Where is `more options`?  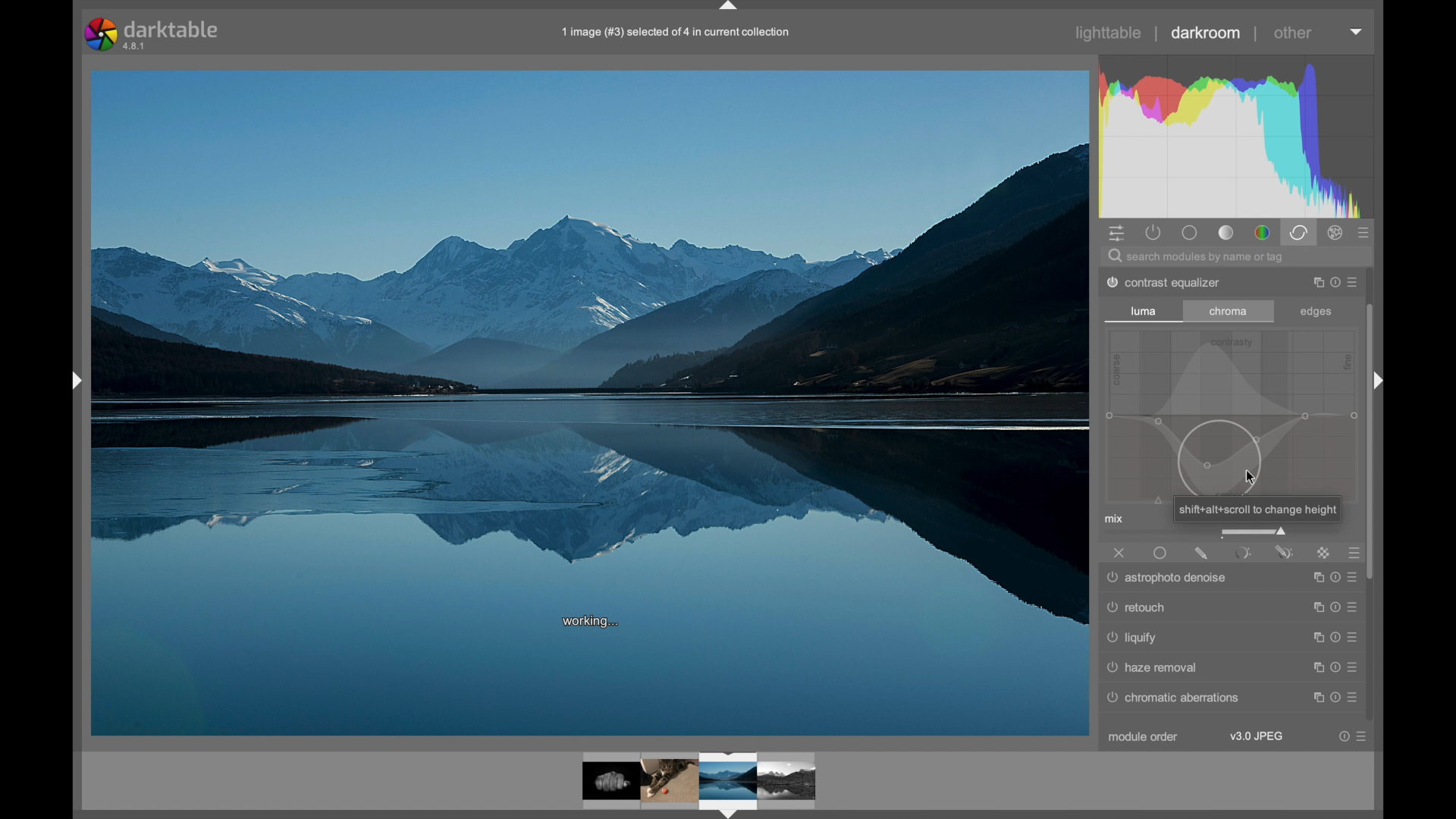
more options is located at coordinates (1332, 579).